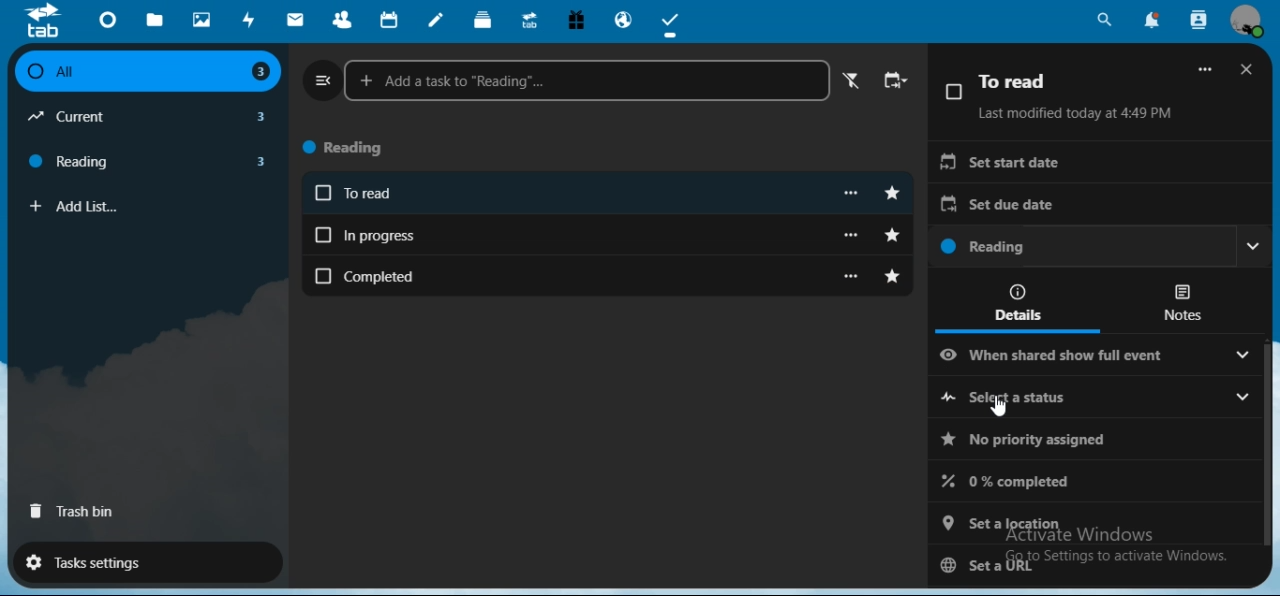 The image size is (1280, 596). I want to click on details, so click(1020, 301).